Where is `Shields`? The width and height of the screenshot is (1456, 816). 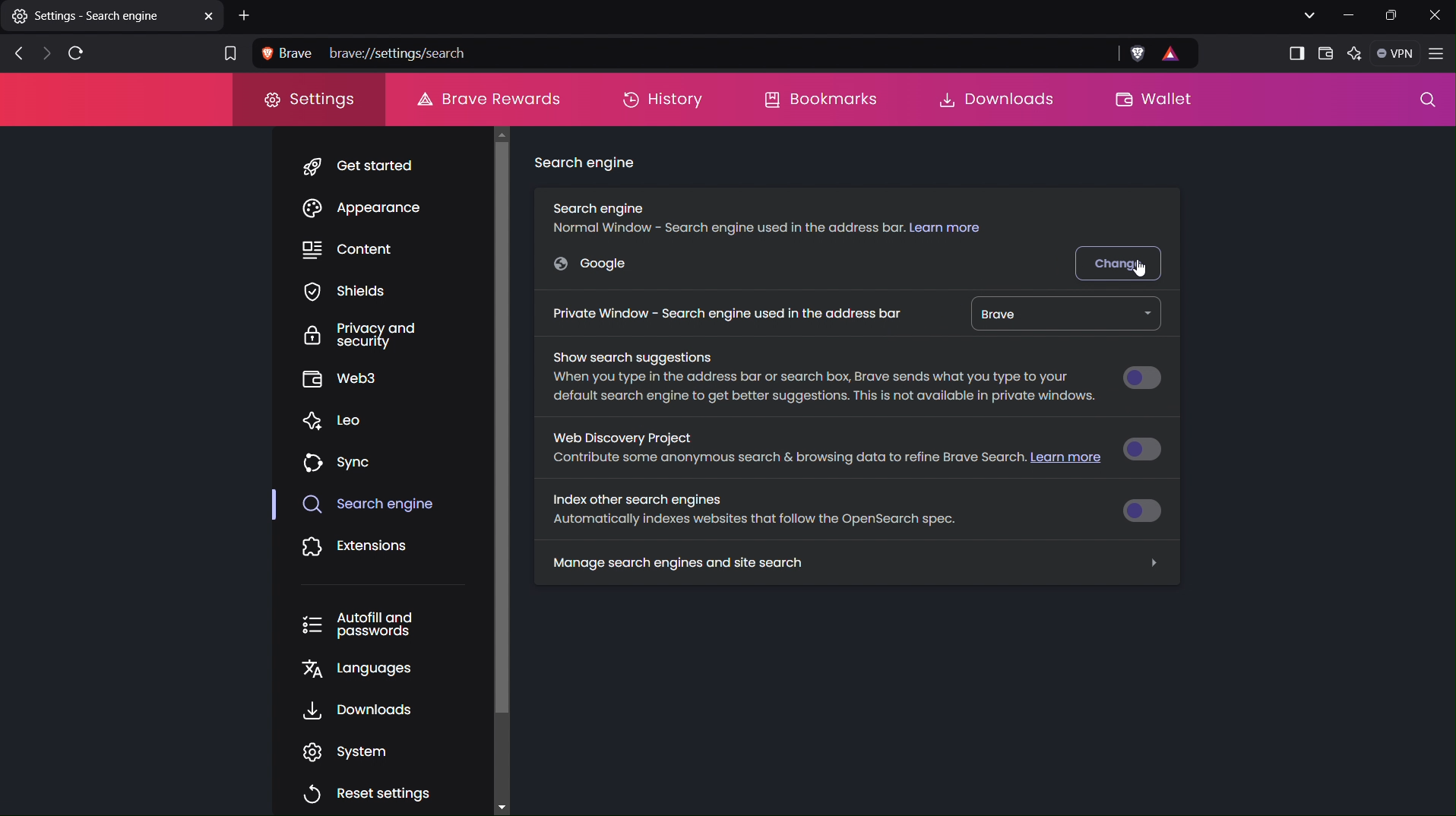
Shields is located at coordinates (344, 294).